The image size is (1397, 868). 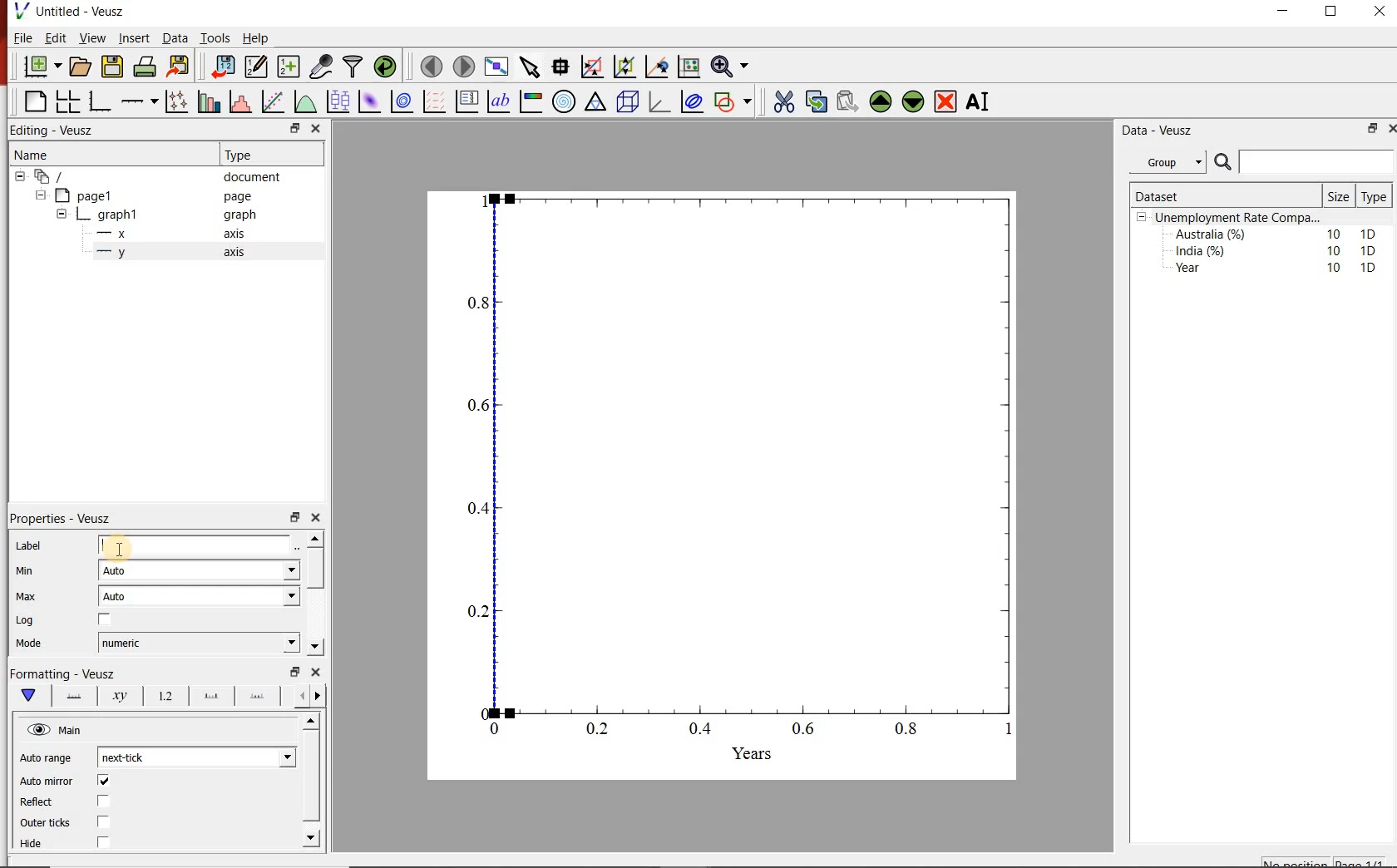 What do you see at coordinates (119, 697) in the screenshot?
I see `axis label` at bounding box center [119, 697].